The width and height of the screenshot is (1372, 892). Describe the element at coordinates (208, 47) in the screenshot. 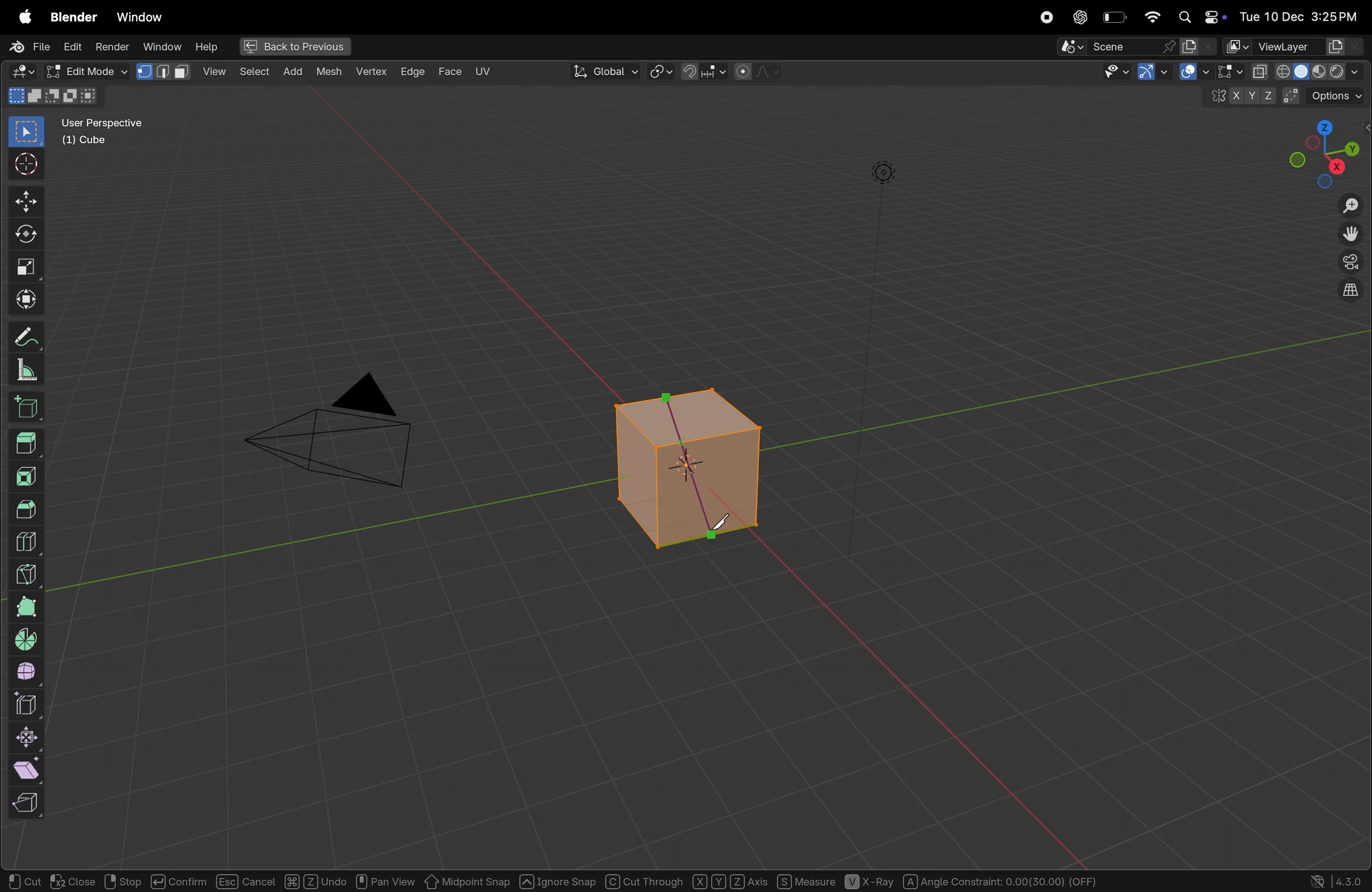

I see `Help` at that location.